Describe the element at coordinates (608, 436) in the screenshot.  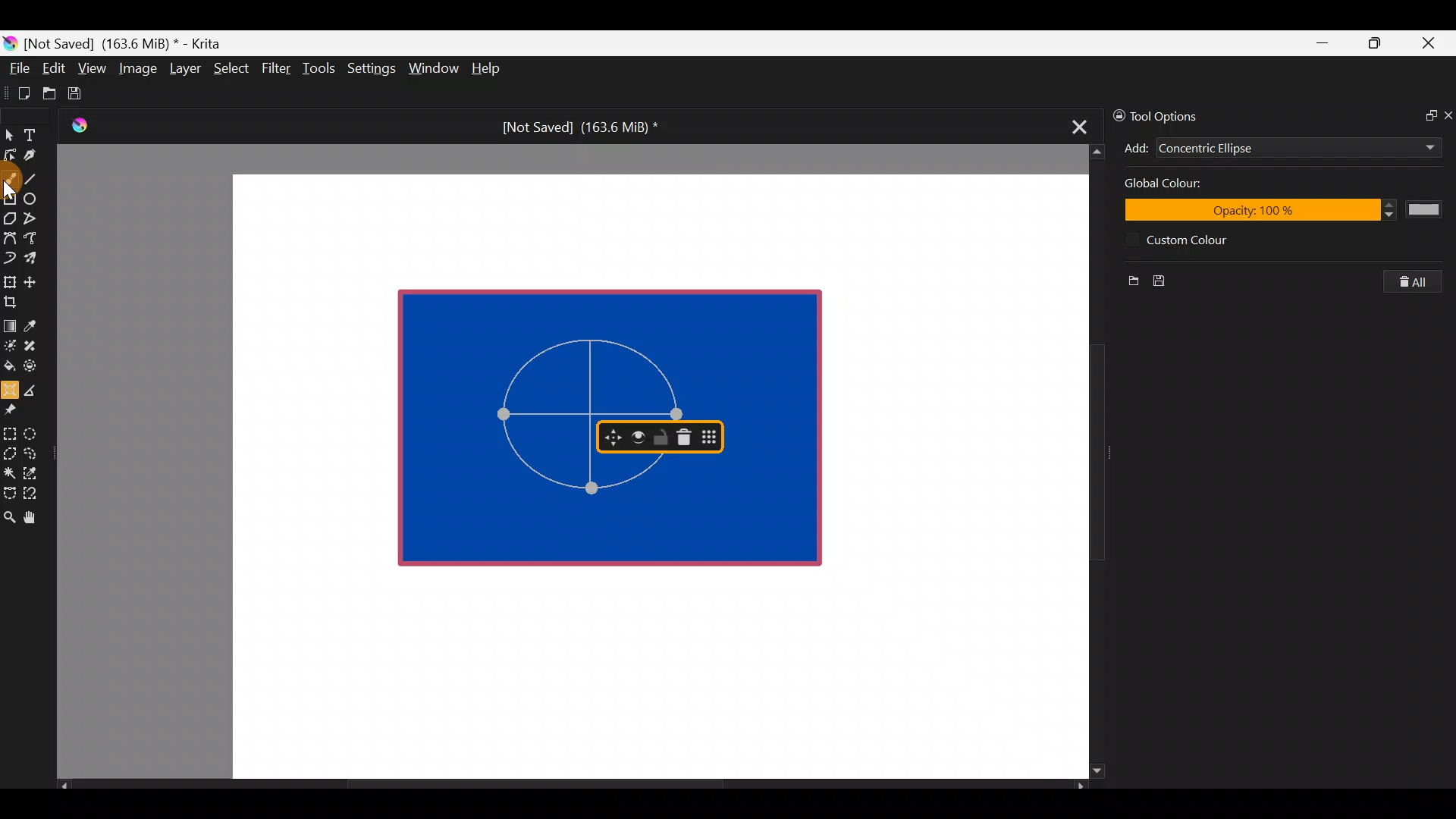
I see `Move` at that location.